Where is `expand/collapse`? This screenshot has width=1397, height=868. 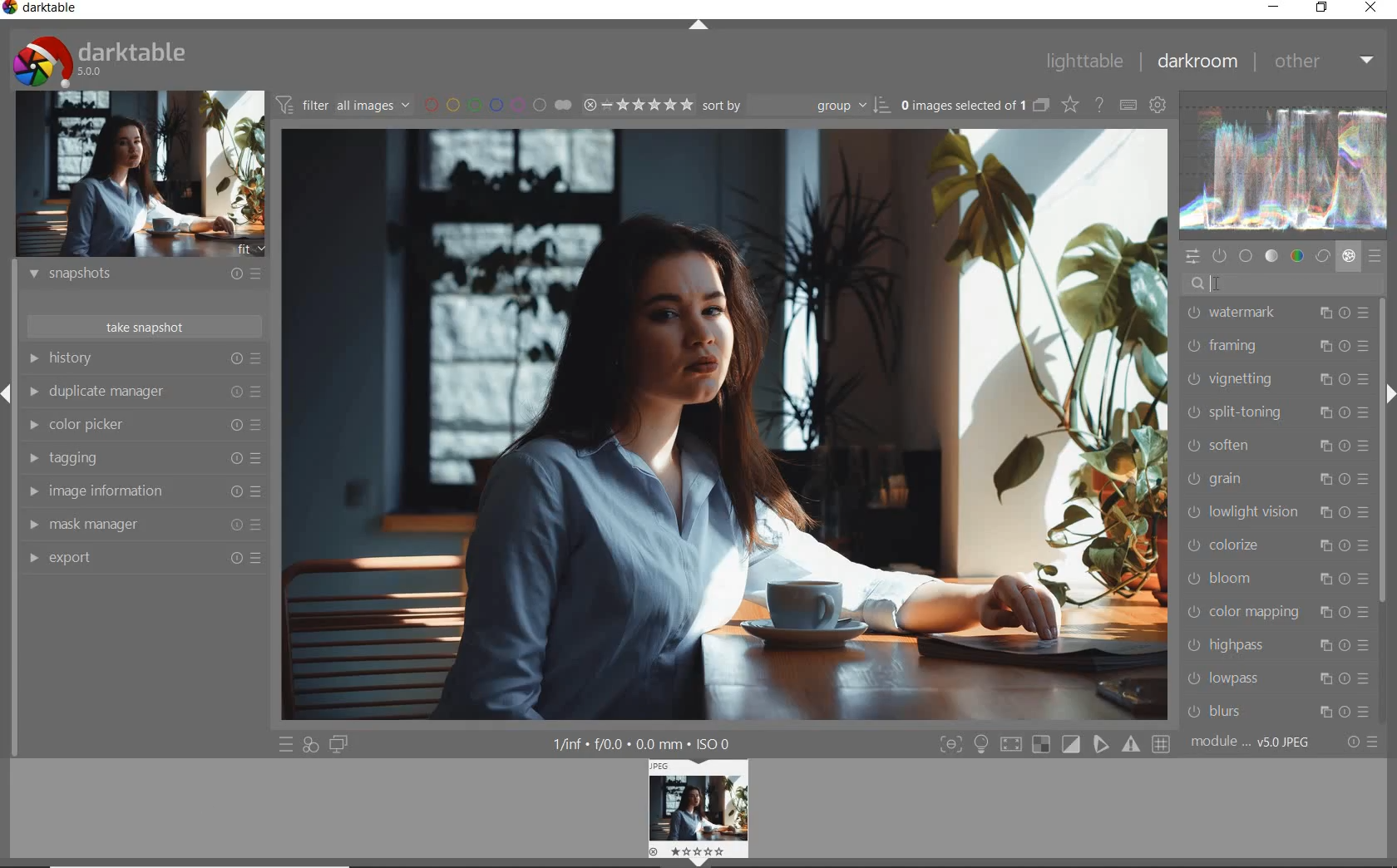 expand/collapse is located at coordinates (698, 24).